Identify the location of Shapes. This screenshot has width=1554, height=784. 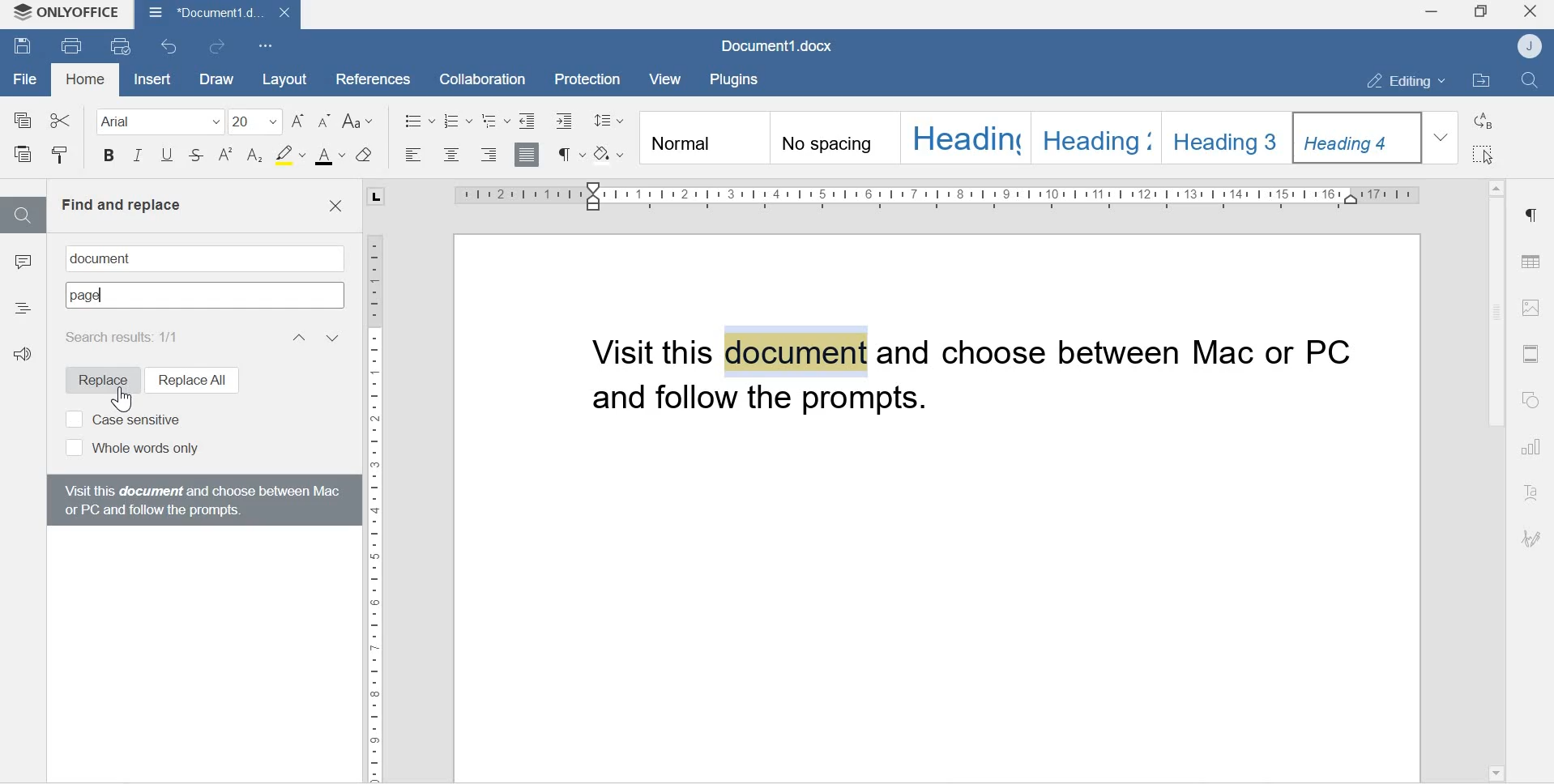
(1534, 401).